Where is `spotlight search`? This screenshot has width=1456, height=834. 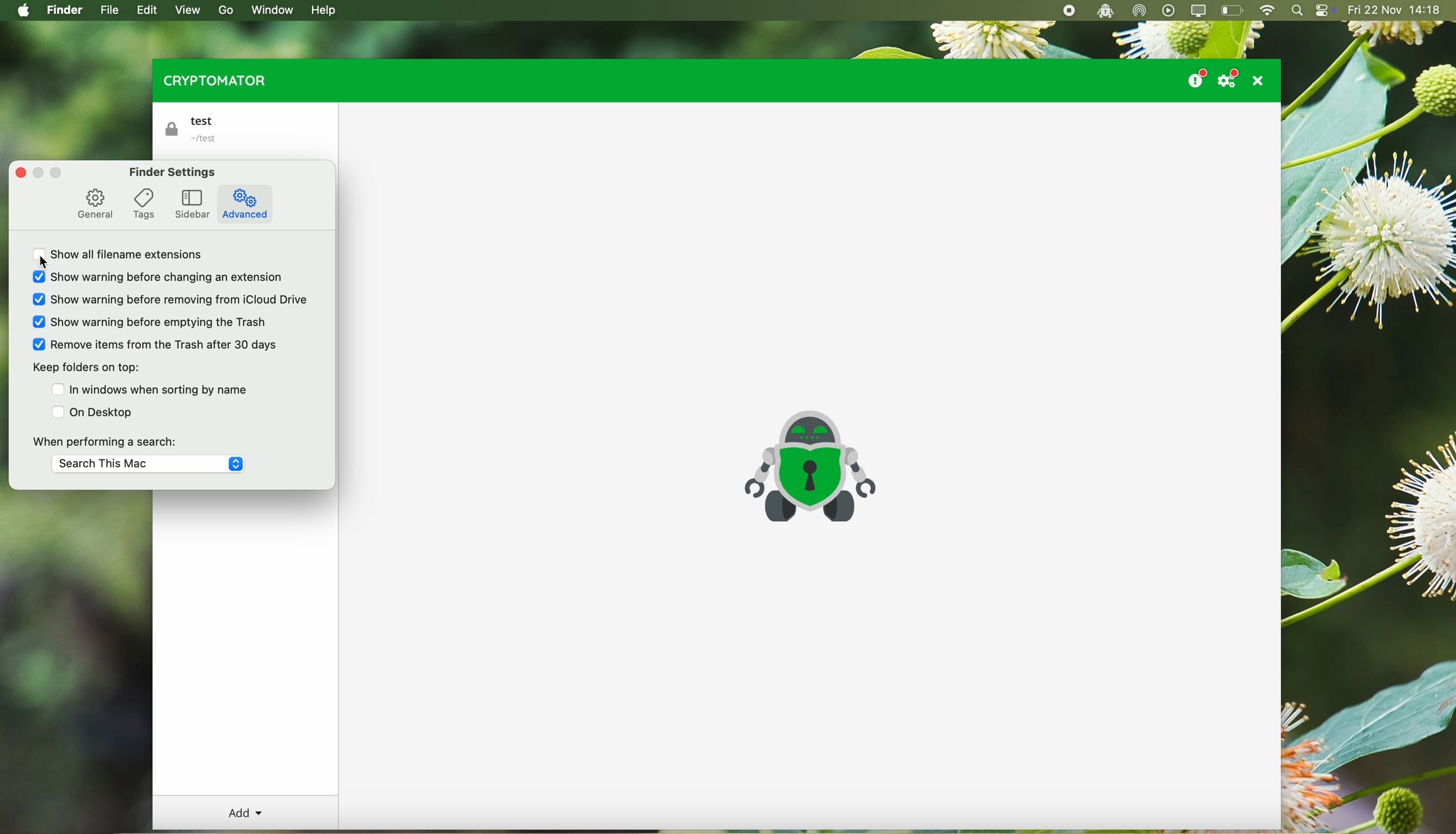
spotlight search is located at coordinates (1297, 11).